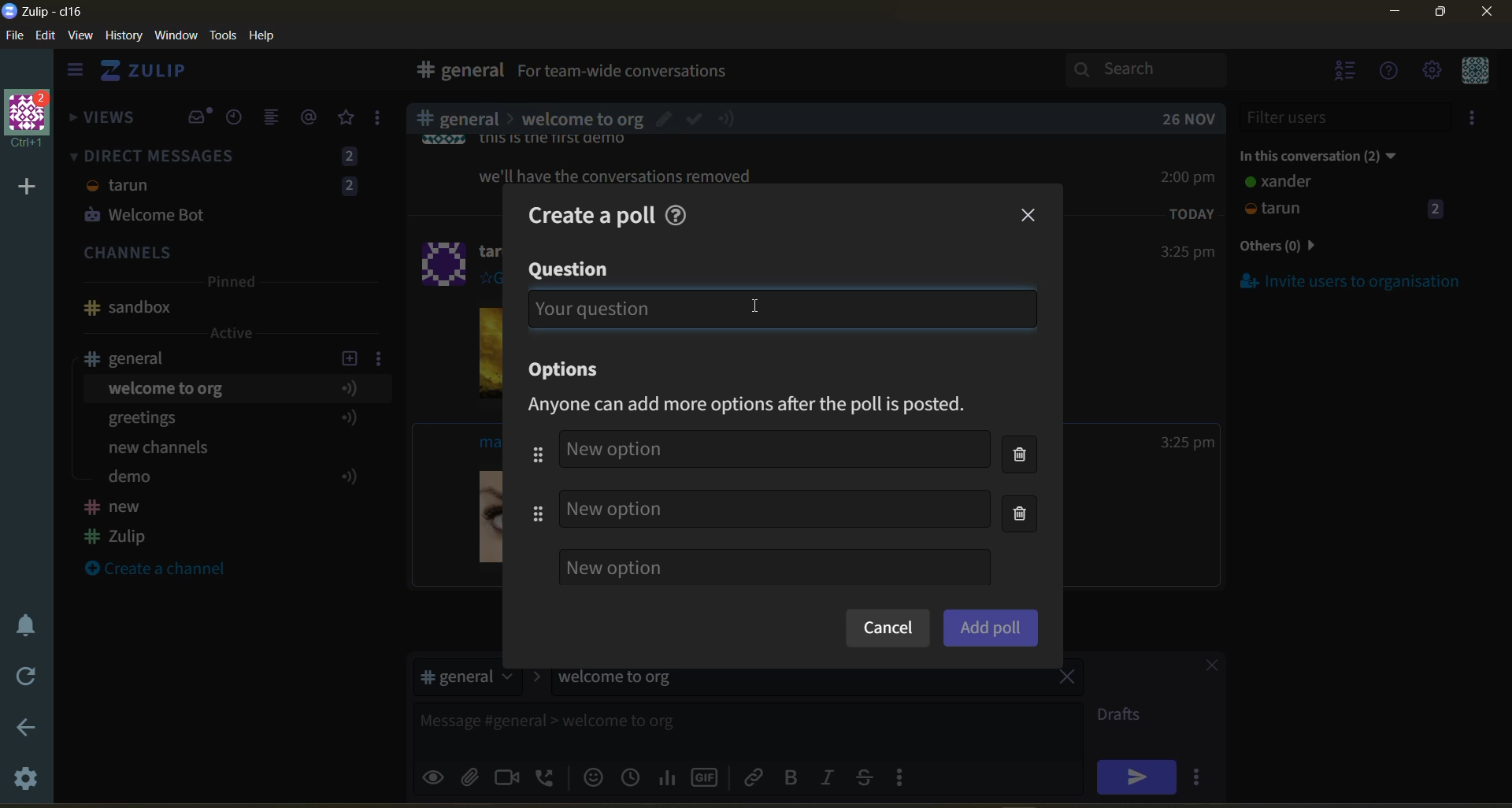 The image size is (1512, 808). What do you see at coordinates (1431, 72) in the screenshot?
I see `settings menu` at bounding box center [1431, 72].